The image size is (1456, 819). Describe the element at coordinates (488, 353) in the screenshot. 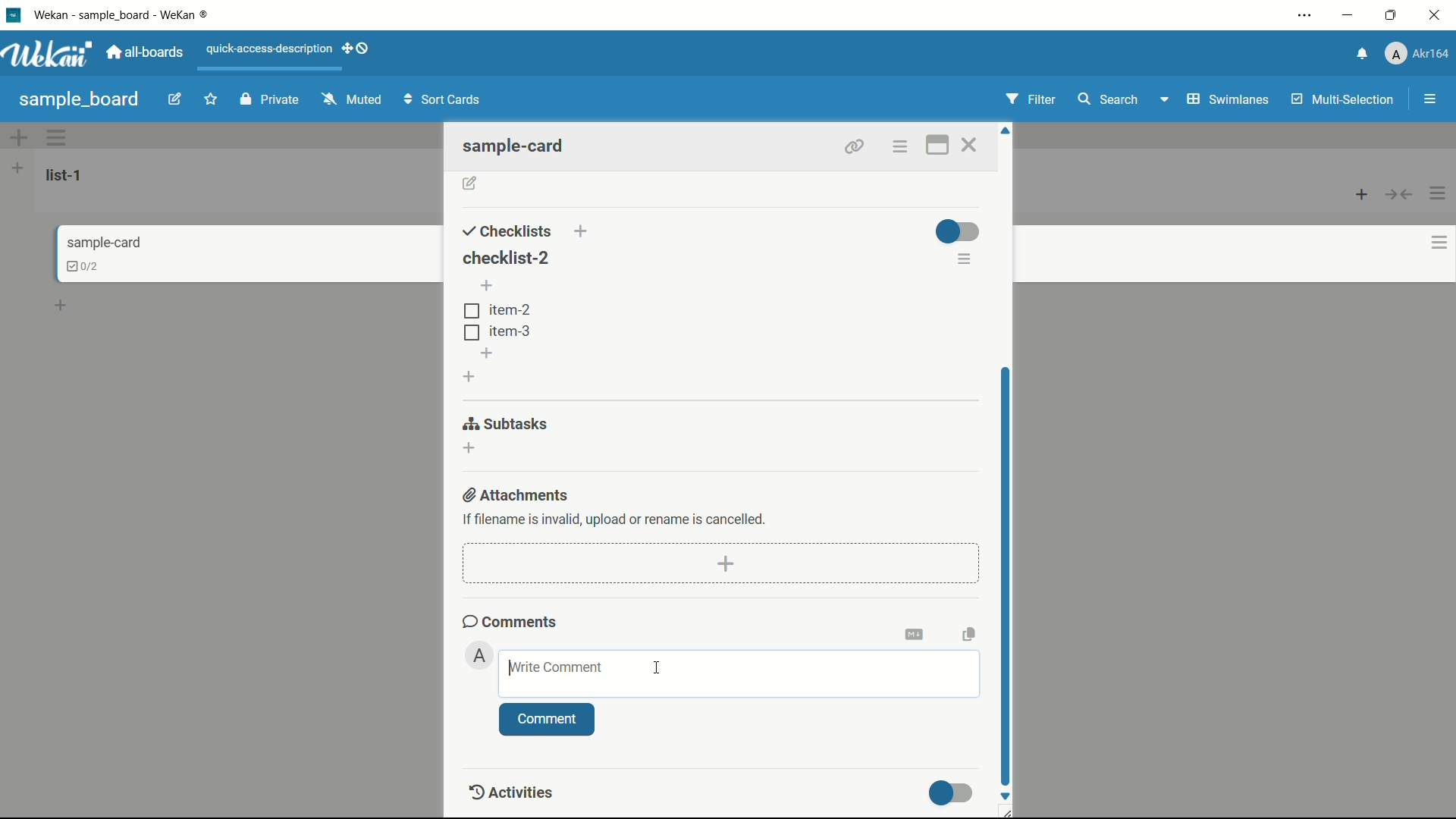

I see `add item` at that location.